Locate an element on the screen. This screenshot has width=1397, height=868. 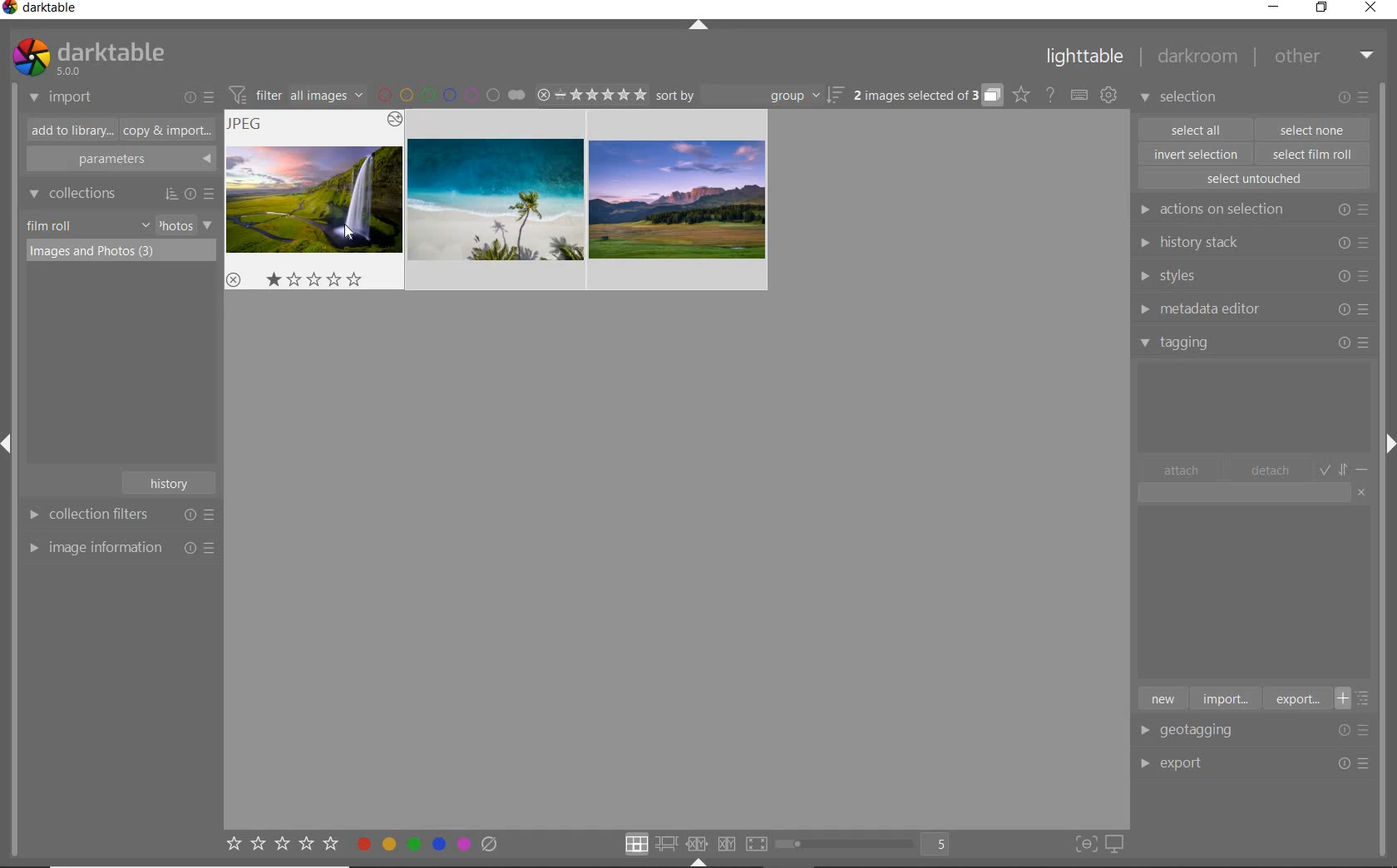
export is located at coordinates (1296, 698).